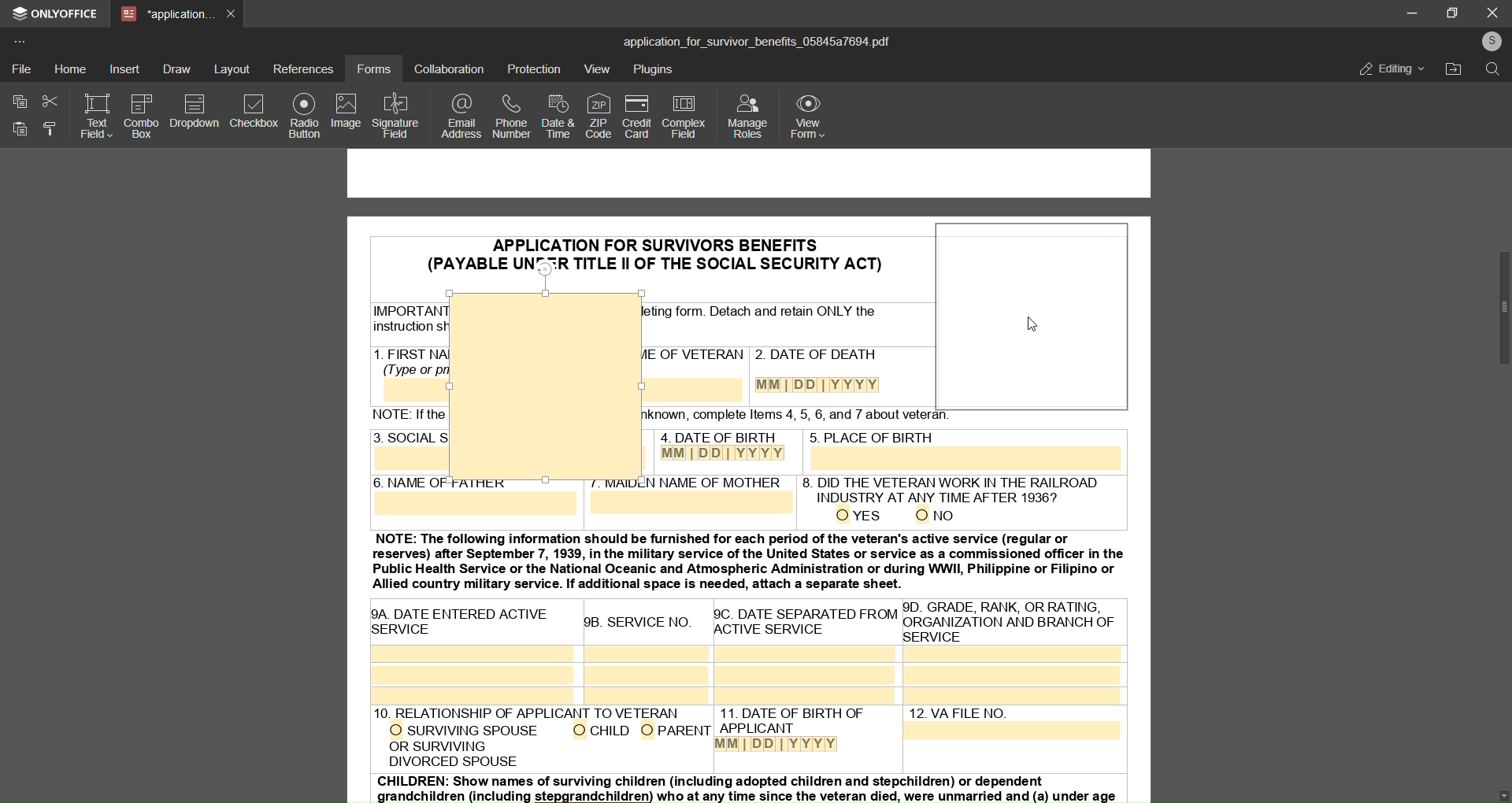 The image size is (1512, 803). What do you see at coordinates (47, 101) in the screenshot?
I see `cut` at bounding box center [47, 101].